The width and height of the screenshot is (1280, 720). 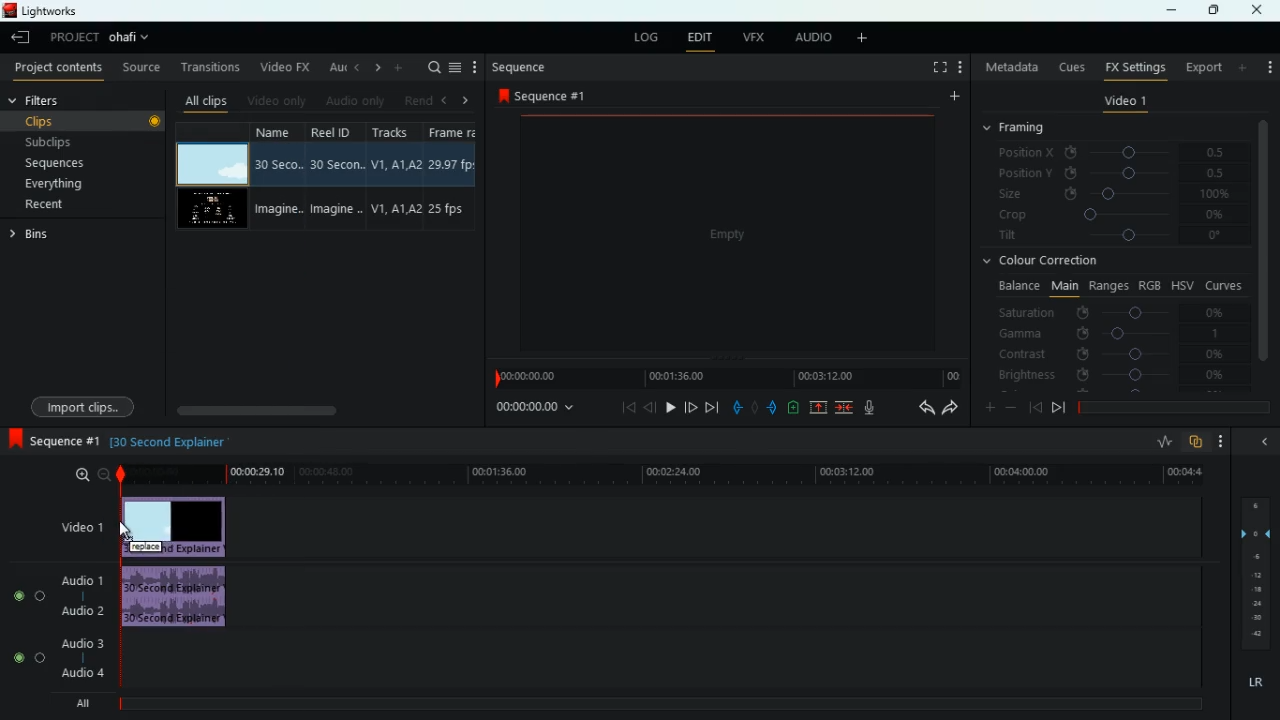 What do you see at coordinates (412, 98) in the screenshot?
I see `rend` at bounding box center [412, 98].